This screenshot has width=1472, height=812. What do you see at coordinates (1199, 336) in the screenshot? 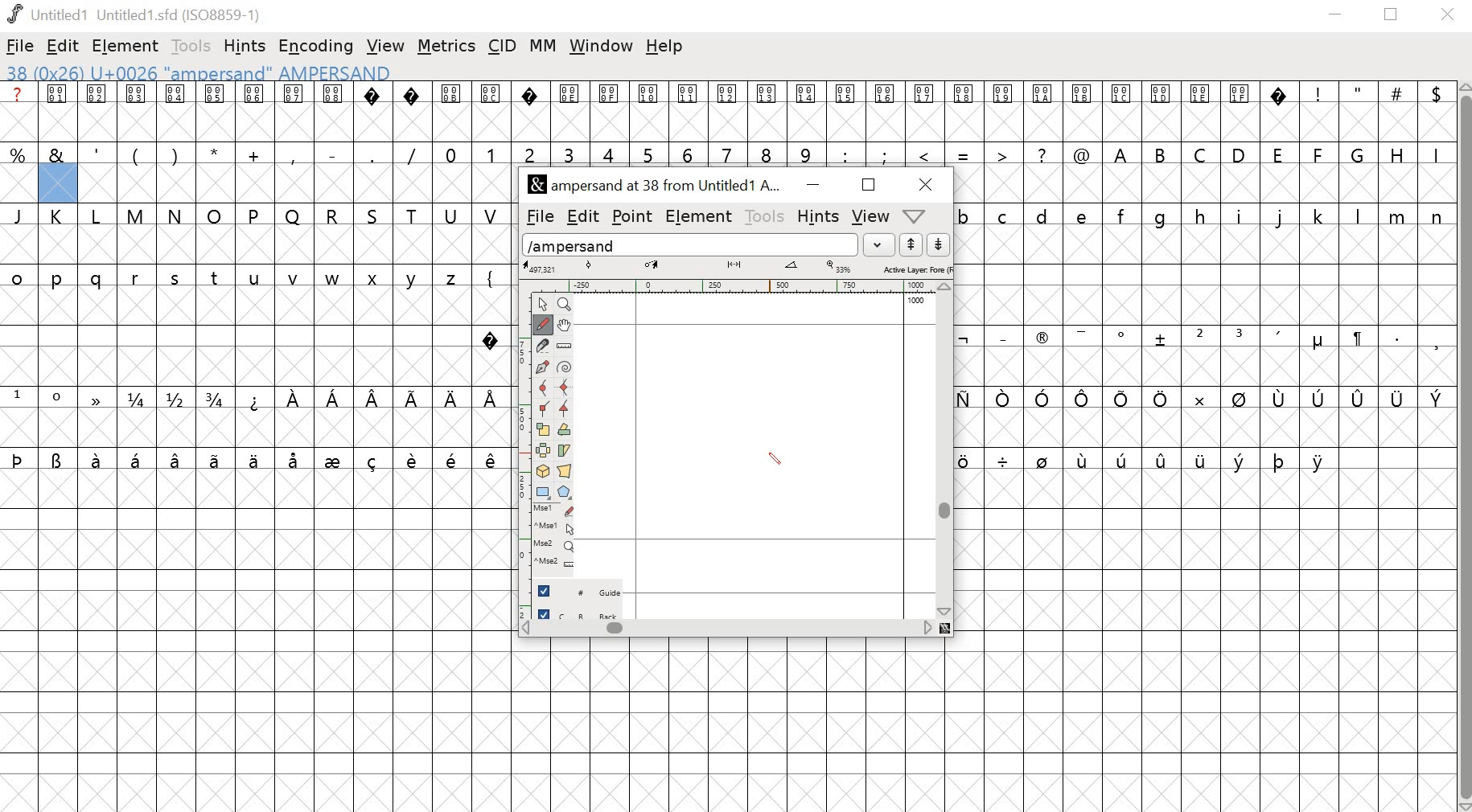
I see `2` at bounding box center [1199, 336].